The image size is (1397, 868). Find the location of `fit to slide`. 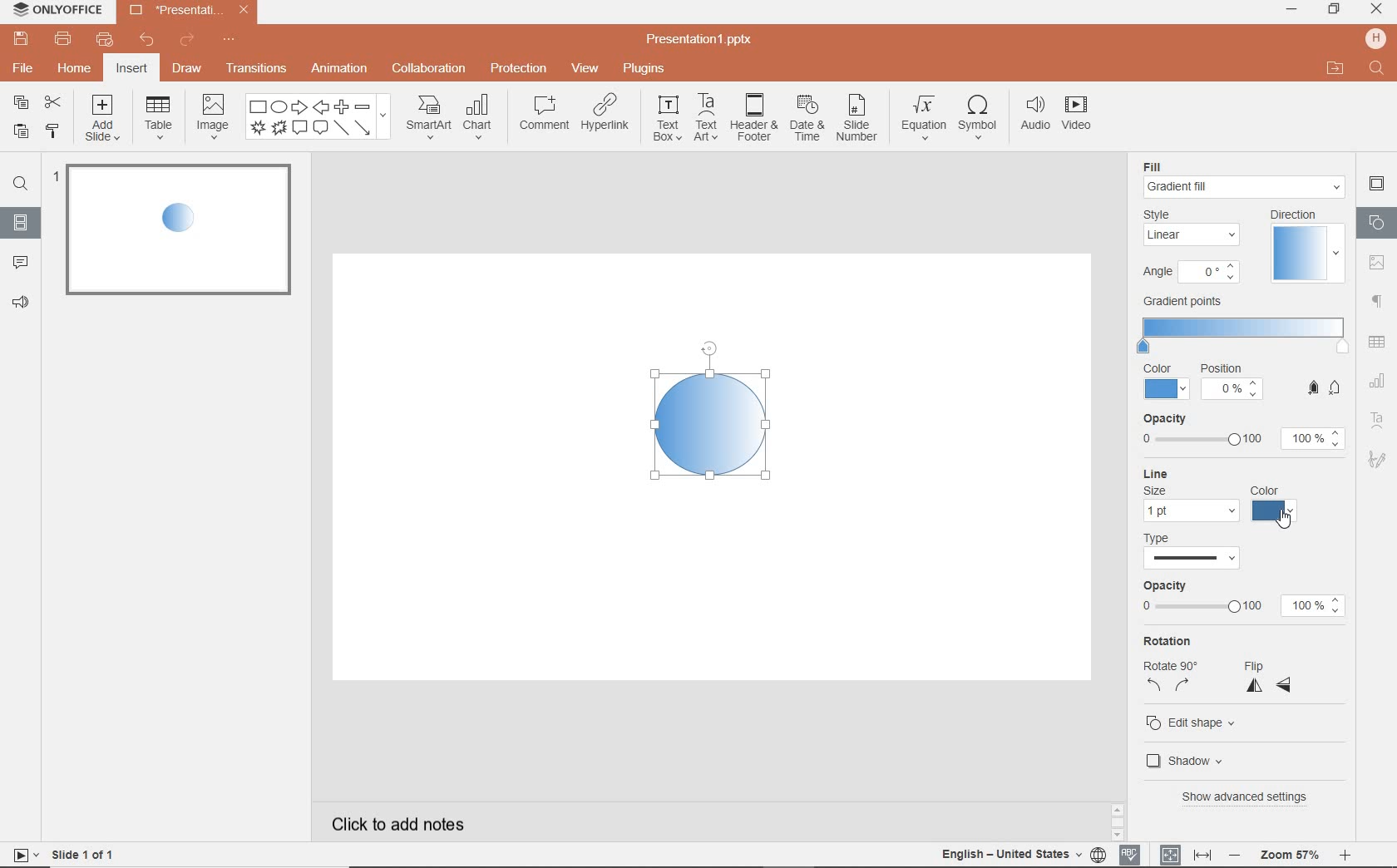

fit to slide is located at coordinates (1171, 854).